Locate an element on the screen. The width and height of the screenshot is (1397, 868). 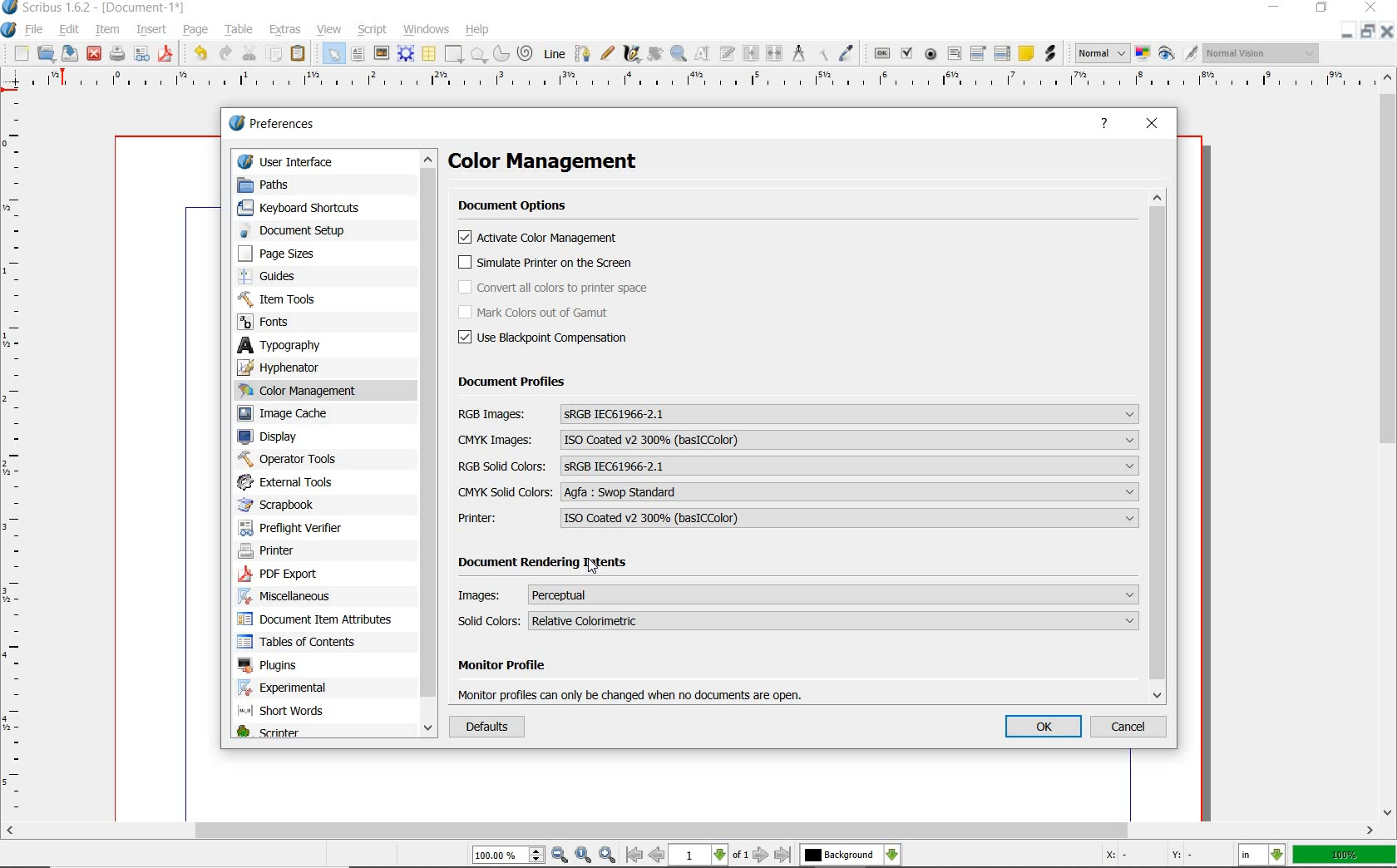
scrollbar is located at coordinates (1160, 446).